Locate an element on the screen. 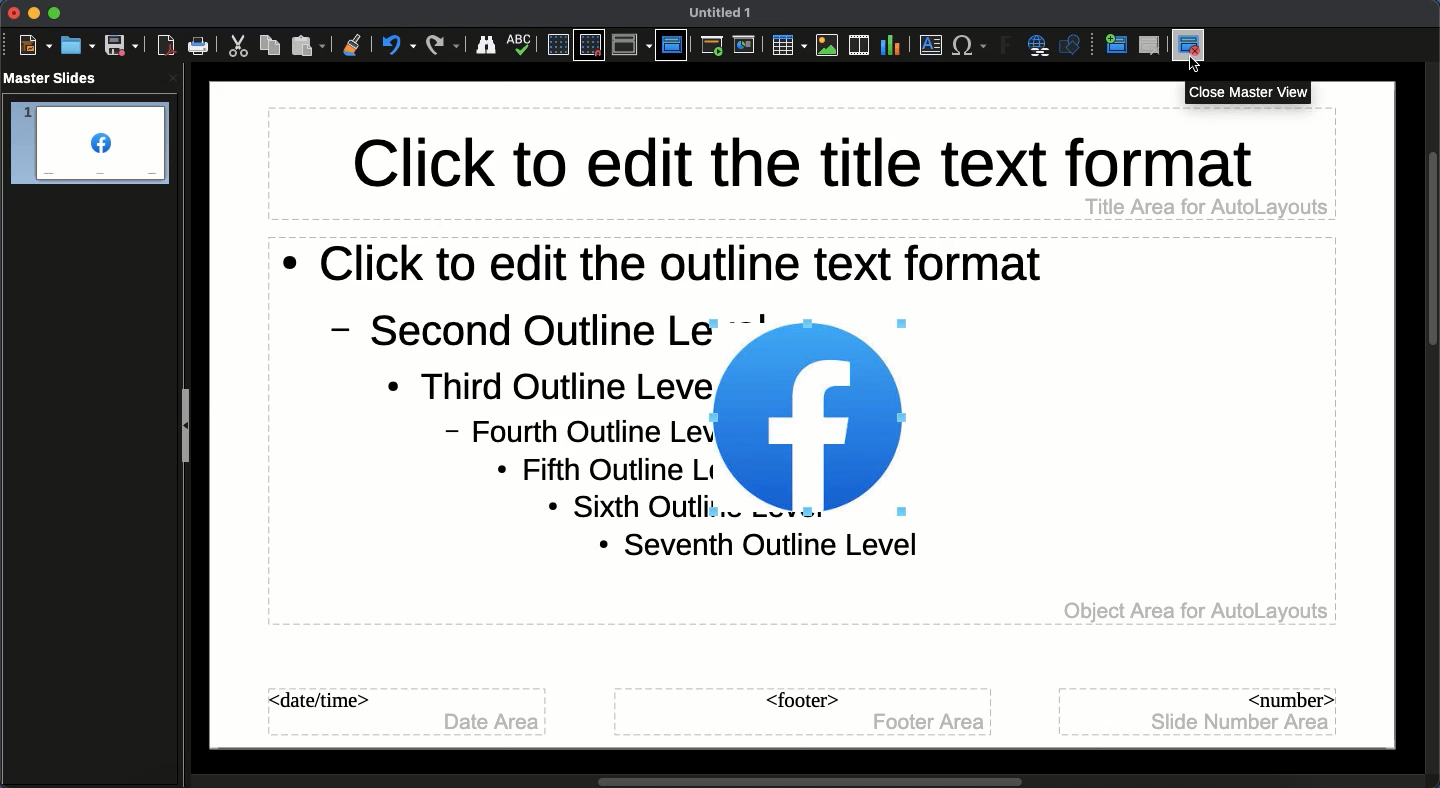  Image added is located at coordinates (822, 408).